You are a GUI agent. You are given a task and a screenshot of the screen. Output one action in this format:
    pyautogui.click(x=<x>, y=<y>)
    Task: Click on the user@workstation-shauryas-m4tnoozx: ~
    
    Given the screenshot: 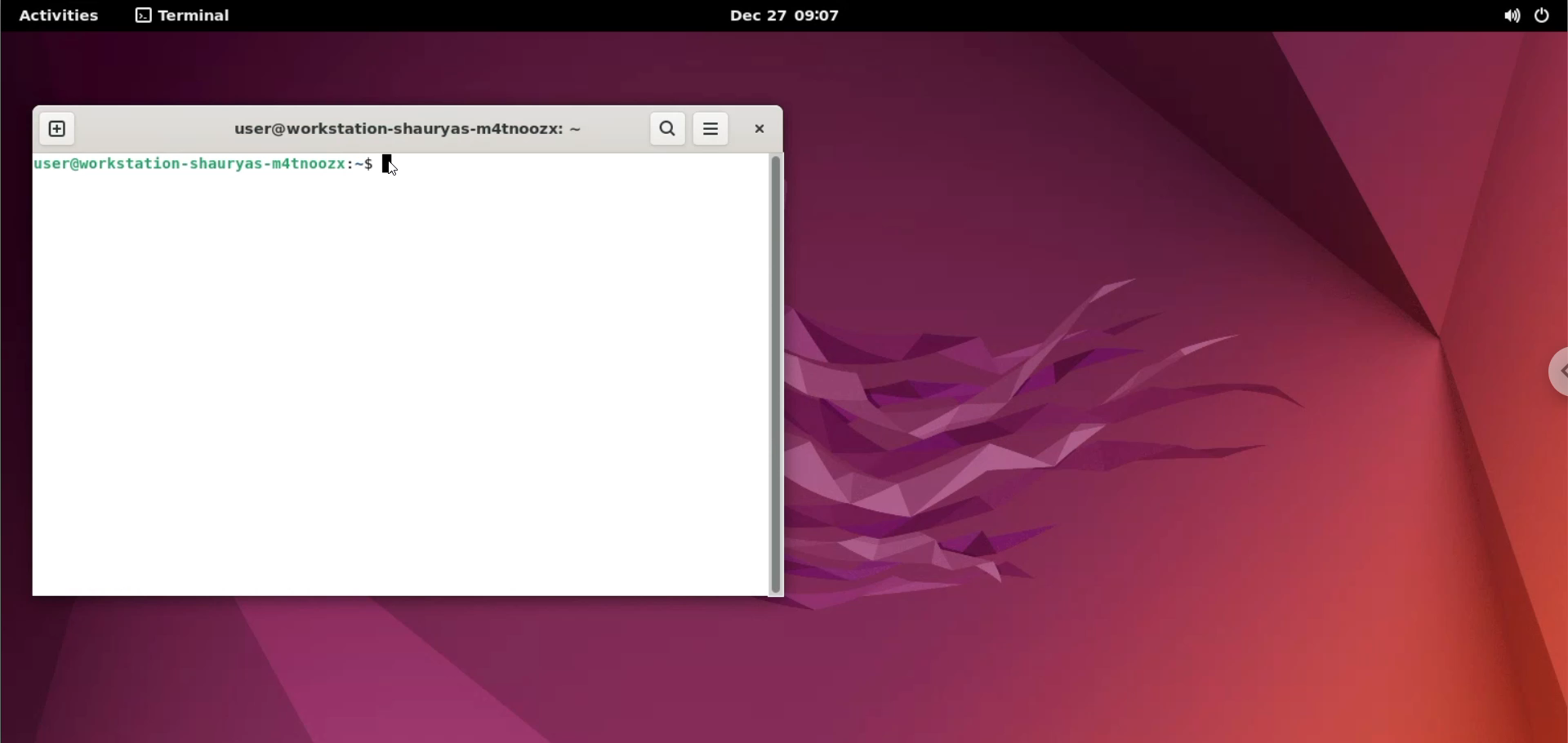 What is the action you would take?
    pyautogui.click(x=410, y=130)
    